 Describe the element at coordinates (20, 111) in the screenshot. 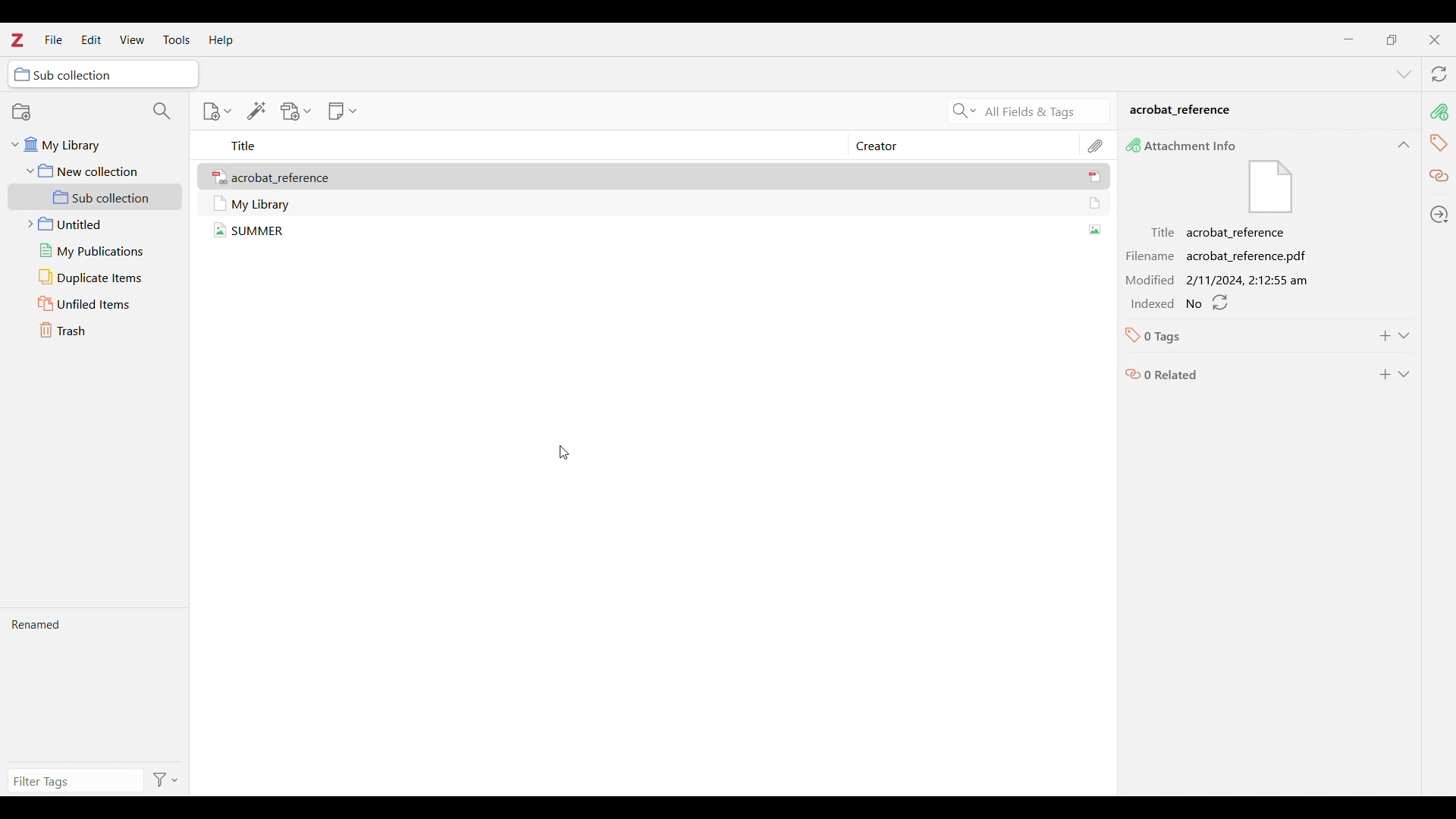

I see `Add new collection` at that location.